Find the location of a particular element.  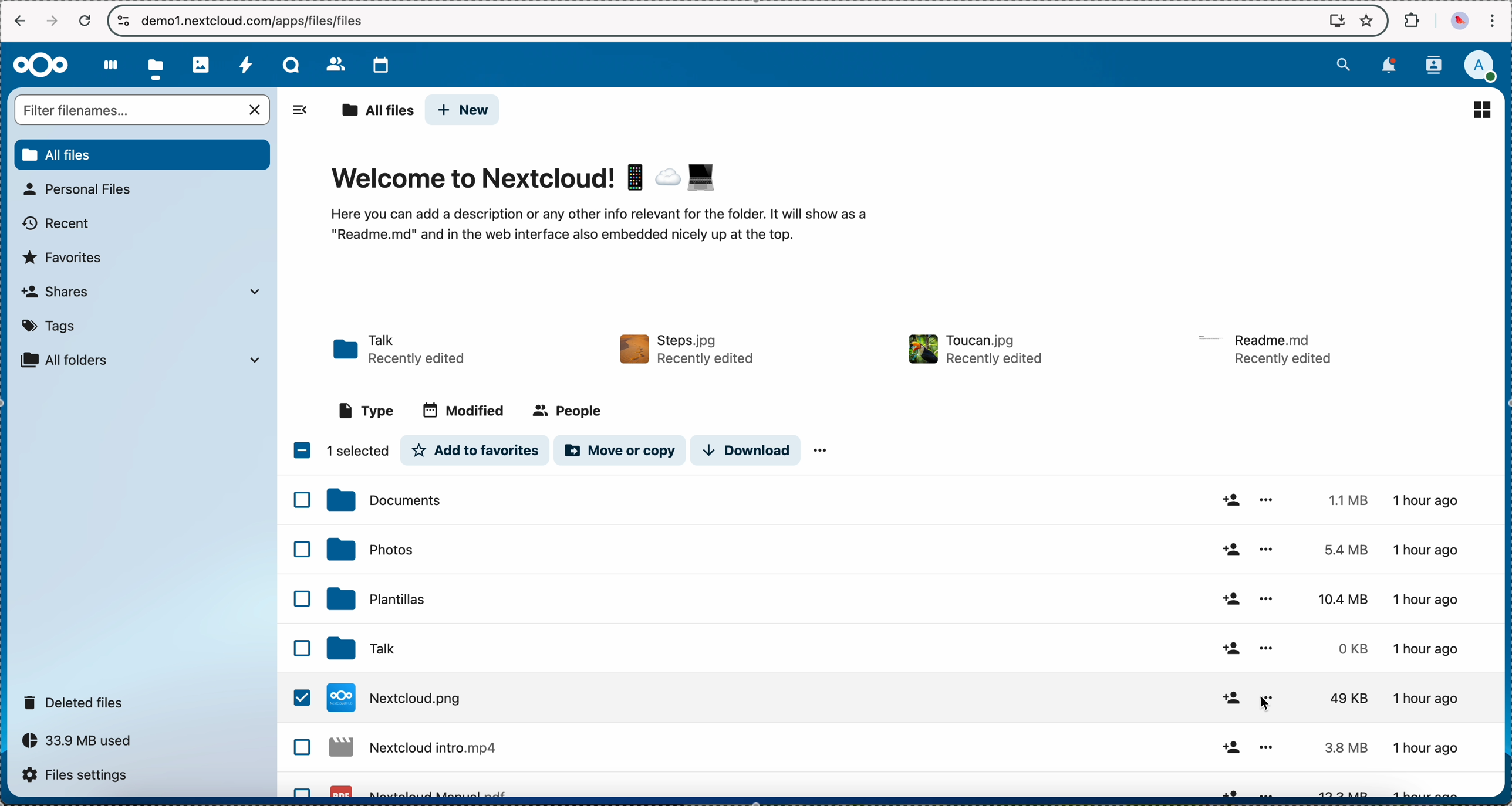

URL is located at coordinates (256, 20).